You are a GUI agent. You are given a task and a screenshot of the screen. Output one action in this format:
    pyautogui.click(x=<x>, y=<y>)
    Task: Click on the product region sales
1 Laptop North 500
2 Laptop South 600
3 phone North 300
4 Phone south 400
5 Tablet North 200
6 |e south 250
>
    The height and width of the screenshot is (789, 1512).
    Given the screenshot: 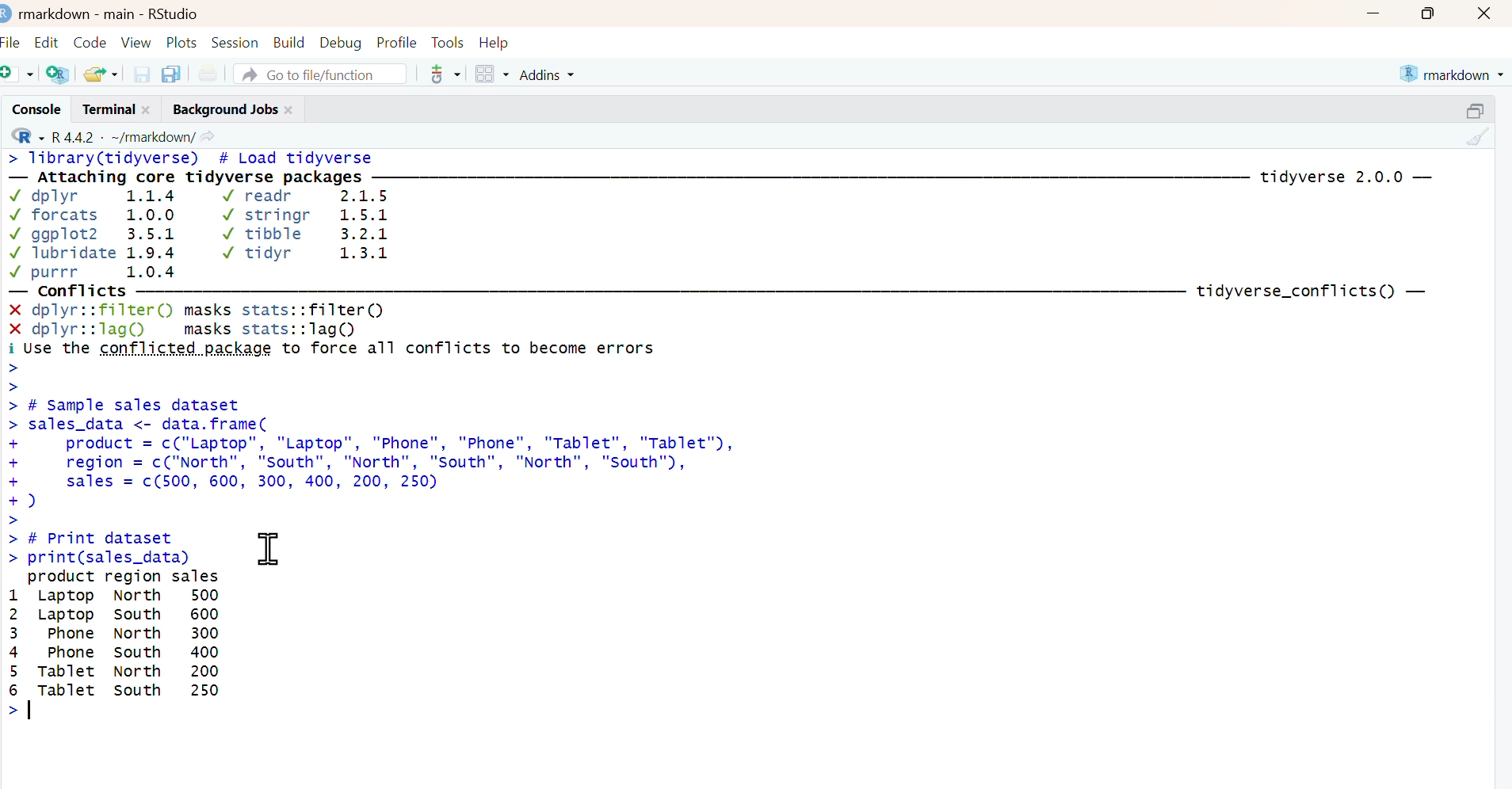 What is the action you would take?
    pyautogui.click(x=120, y=646)
    